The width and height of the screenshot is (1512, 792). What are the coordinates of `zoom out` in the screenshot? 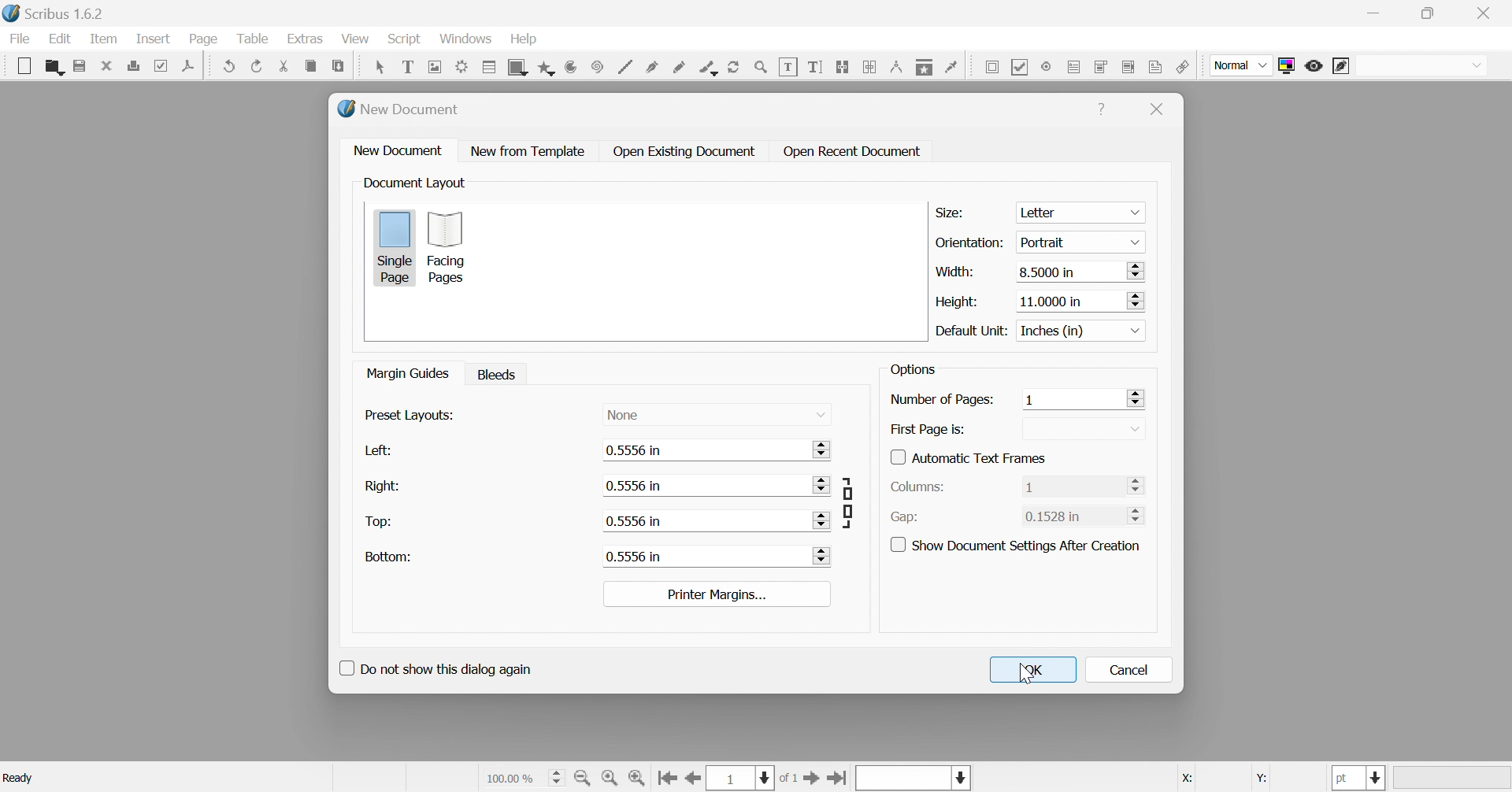 It's located at (585, 777).